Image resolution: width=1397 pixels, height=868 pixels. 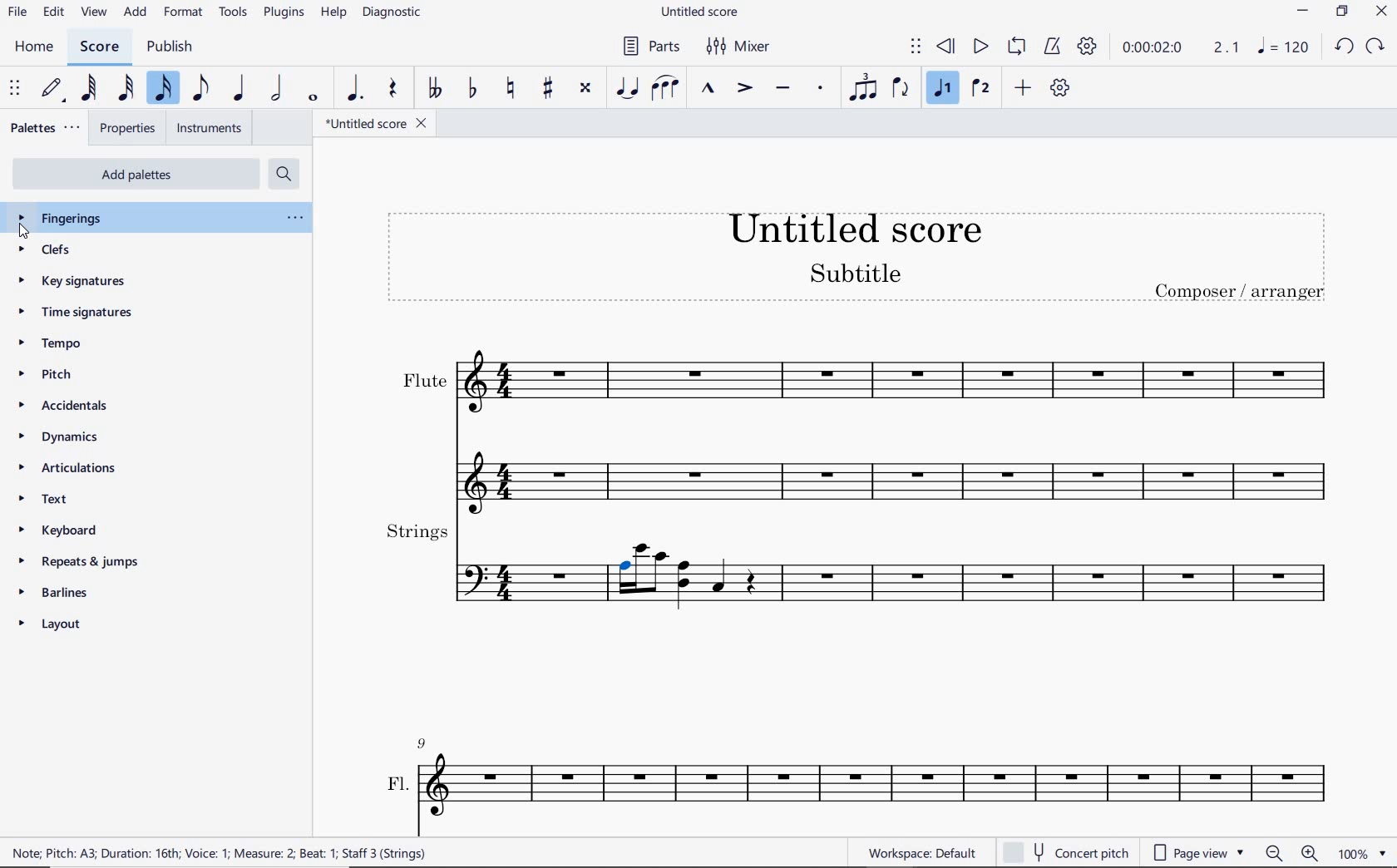 I want to click on plugins, so click(x=284, y=15).